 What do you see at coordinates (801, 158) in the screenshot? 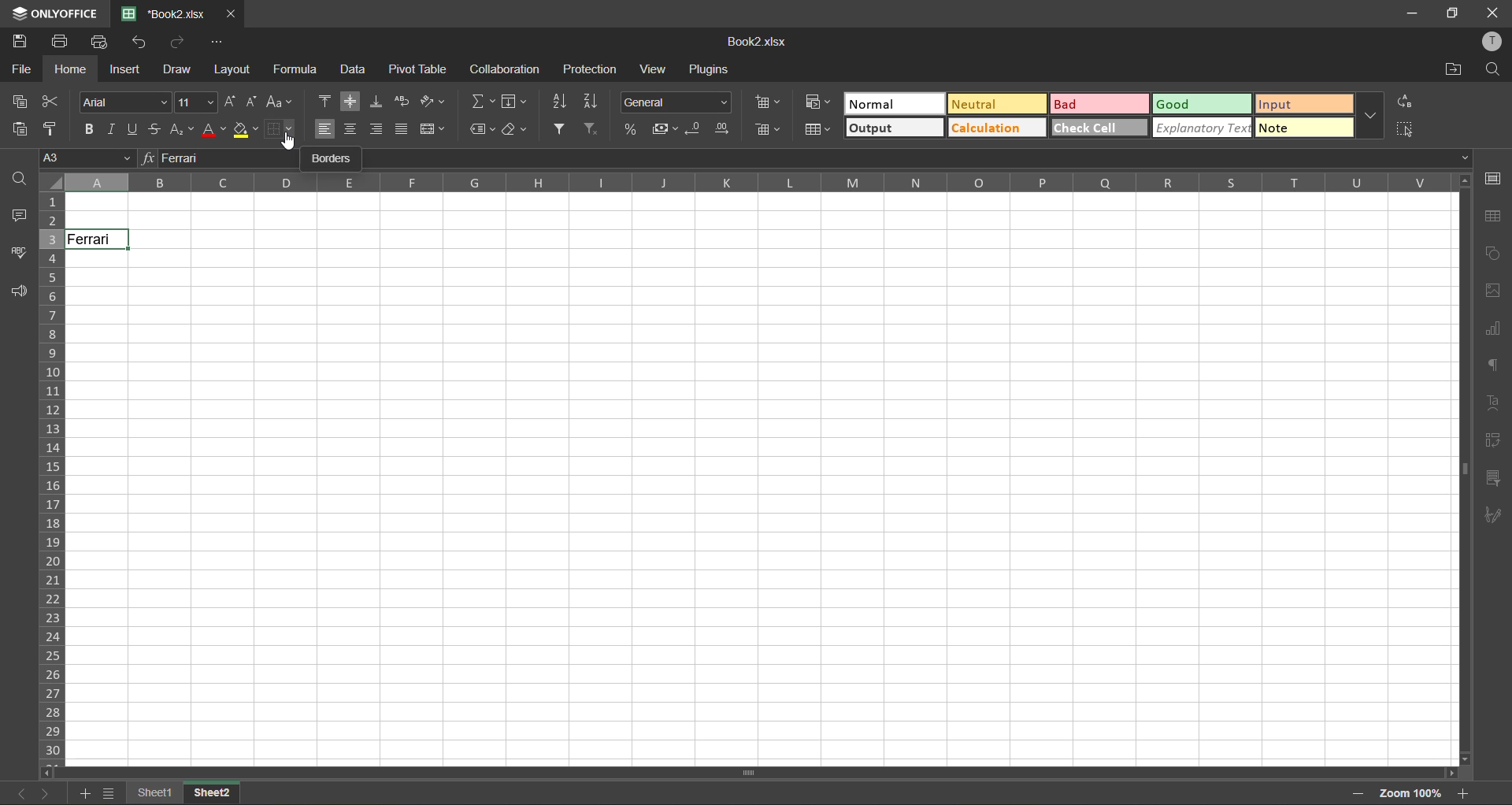
I see `fx formula bar` at bounding box center [801, 158].